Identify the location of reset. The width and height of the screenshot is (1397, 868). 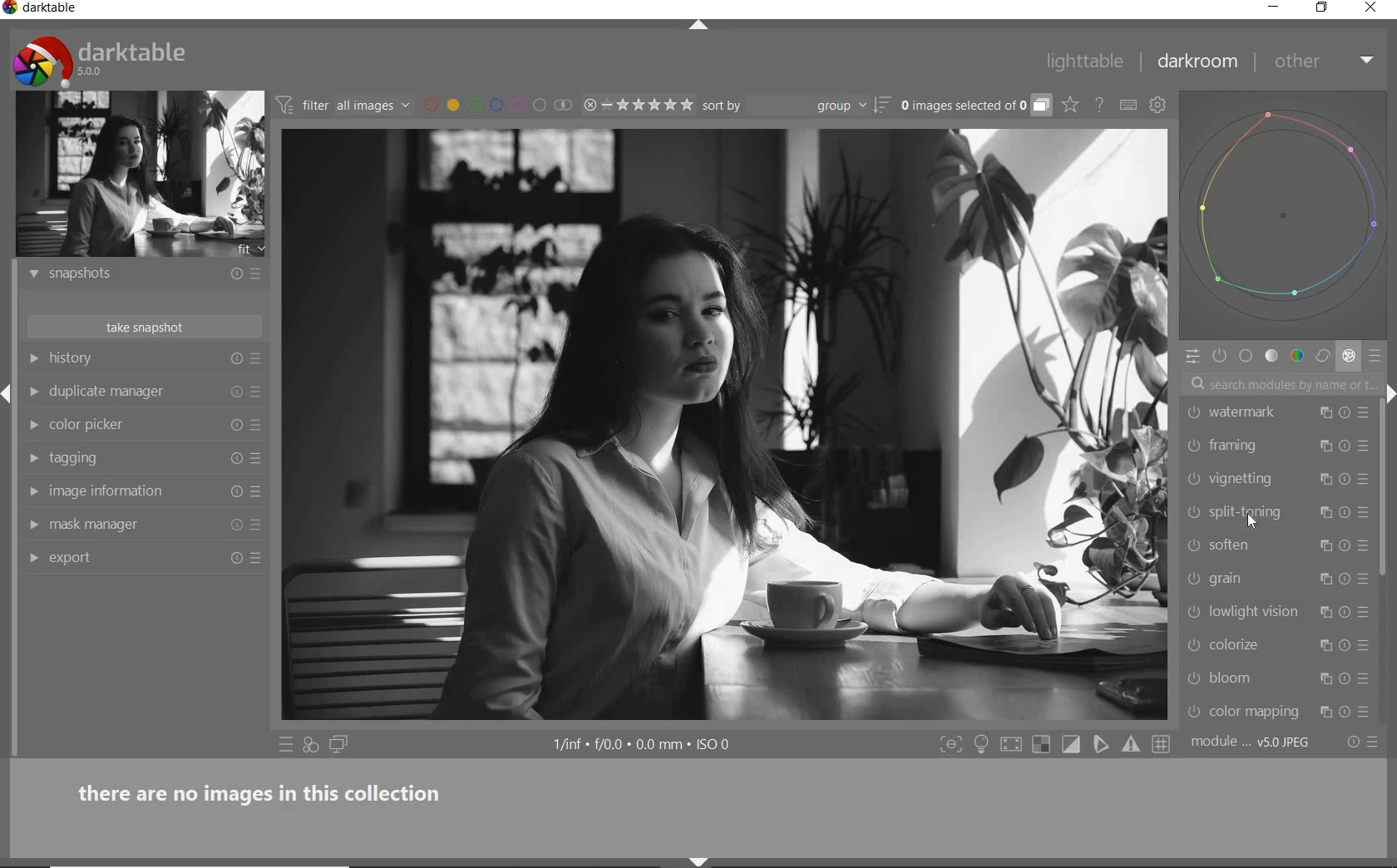
(1347, 610).